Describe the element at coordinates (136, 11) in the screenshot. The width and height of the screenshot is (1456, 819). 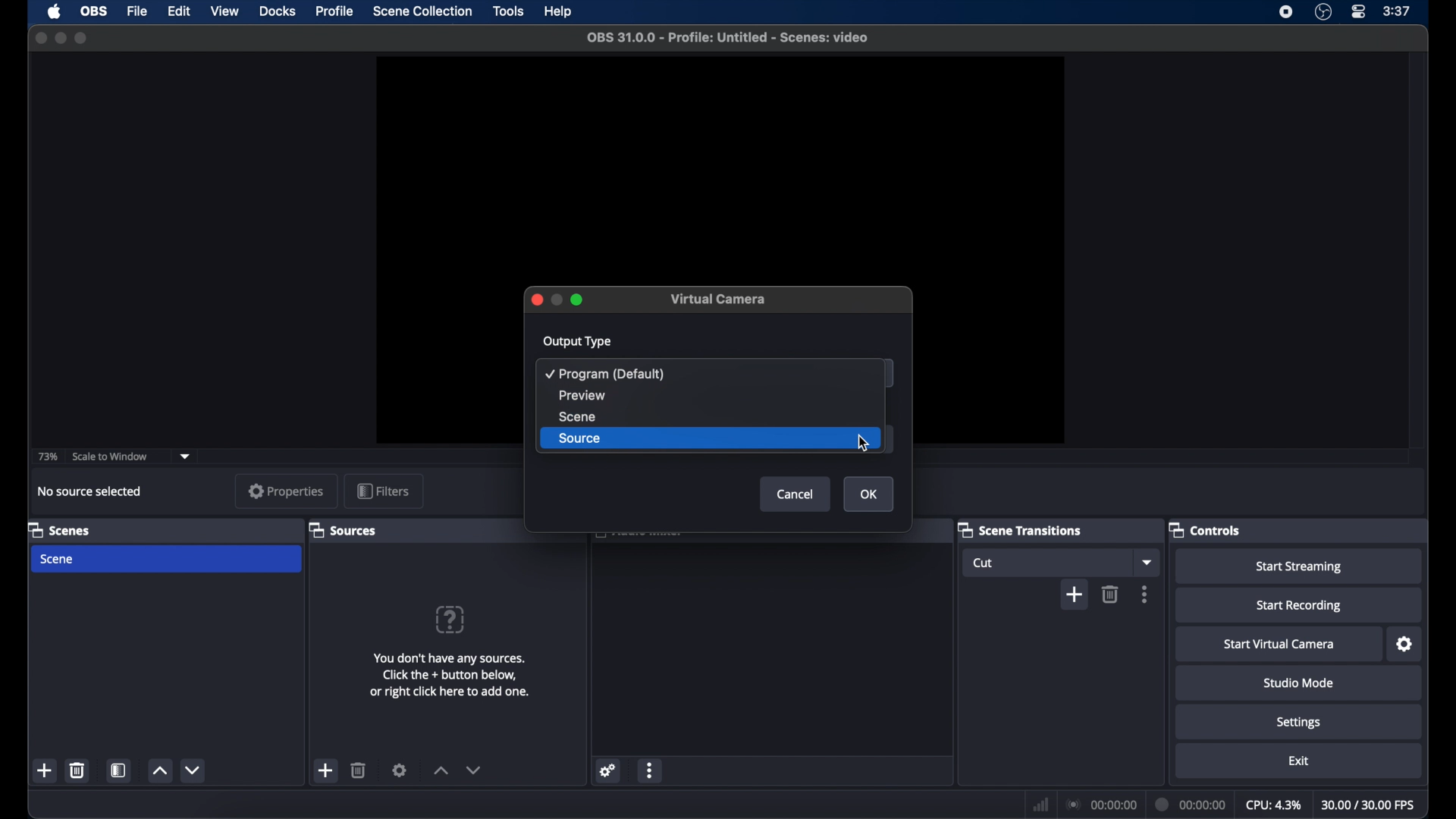
I see `file` at that location.